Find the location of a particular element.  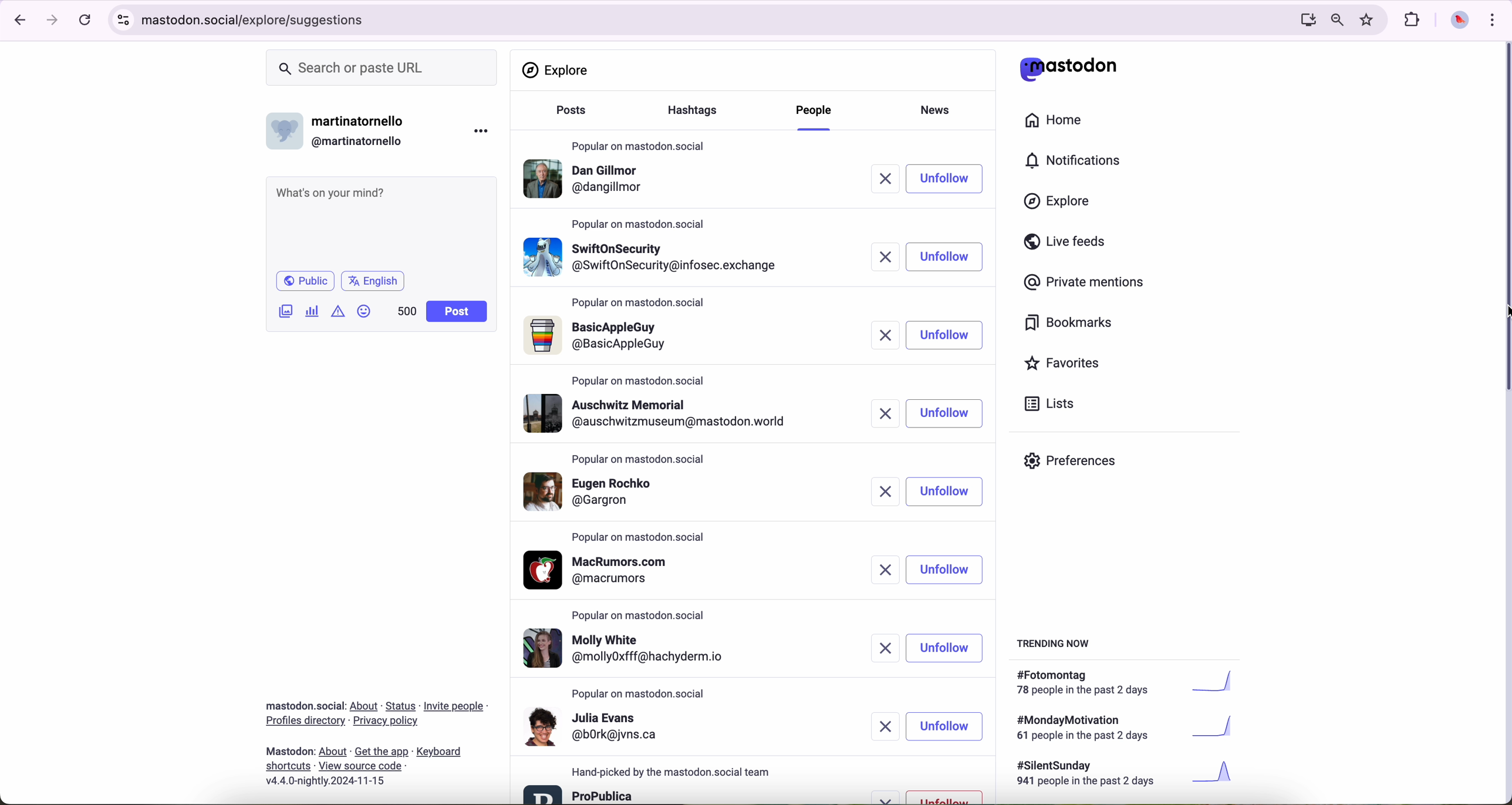

trending now is located at coordinates (1055, 642).